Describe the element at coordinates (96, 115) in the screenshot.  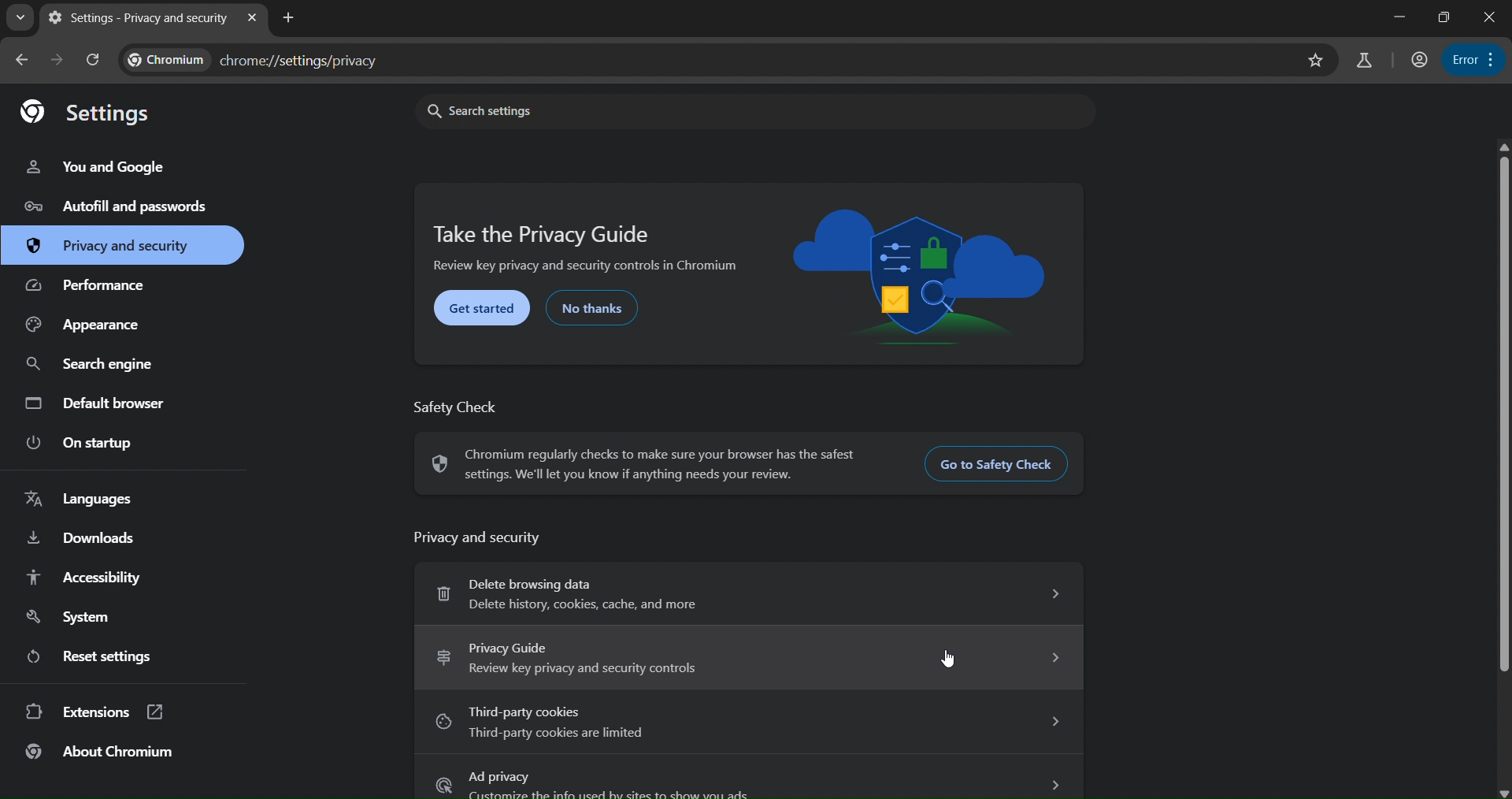
I see `settings` at that location.